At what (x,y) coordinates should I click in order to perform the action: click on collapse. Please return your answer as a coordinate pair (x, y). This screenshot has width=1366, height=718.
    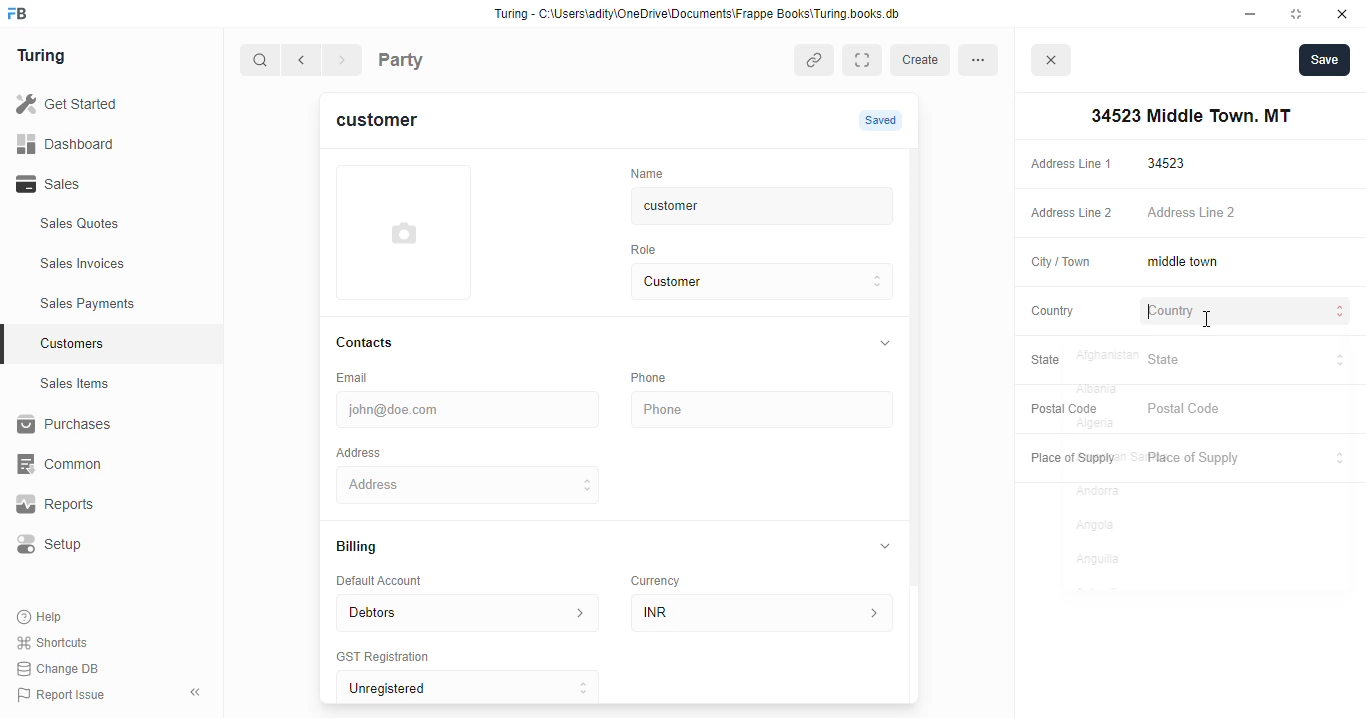
    Looking at the image, I should click on (886, 545).